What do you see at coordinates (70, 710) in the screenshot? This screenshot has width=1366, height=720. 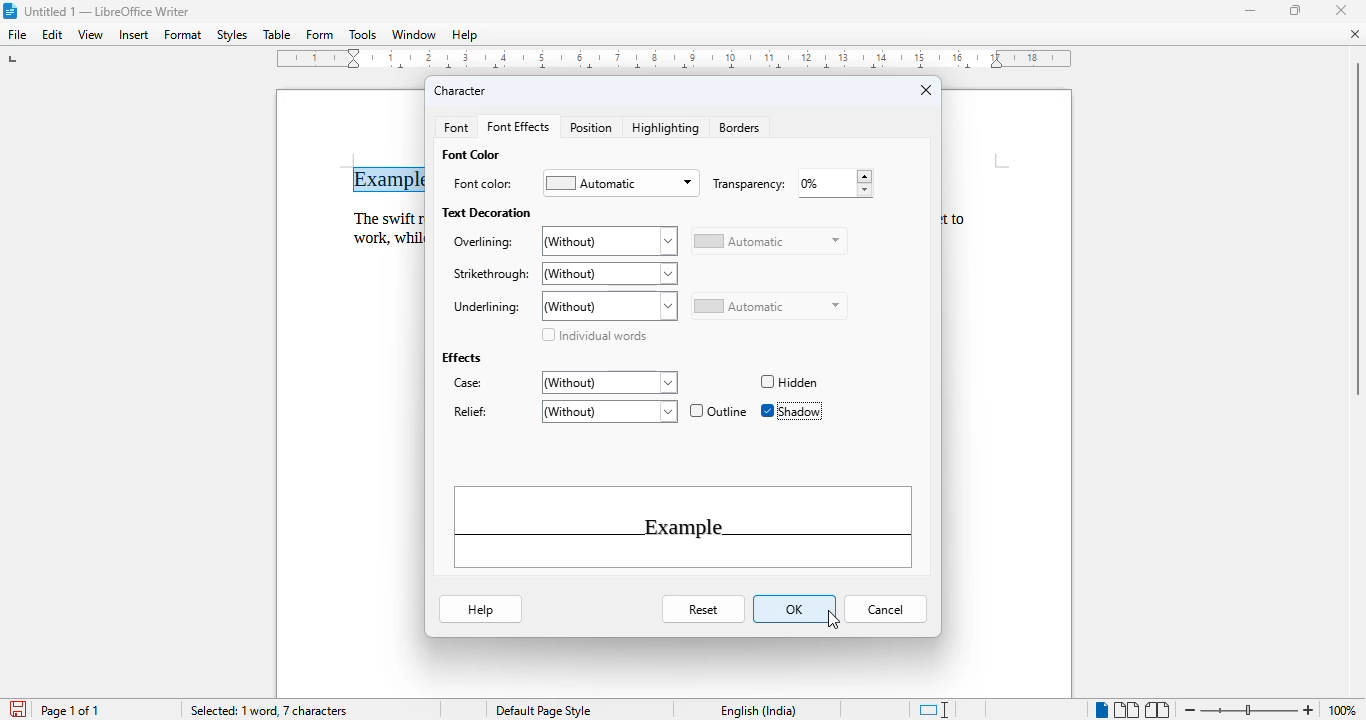 I see `page 1 of 1` at bounding box center [70, 710].